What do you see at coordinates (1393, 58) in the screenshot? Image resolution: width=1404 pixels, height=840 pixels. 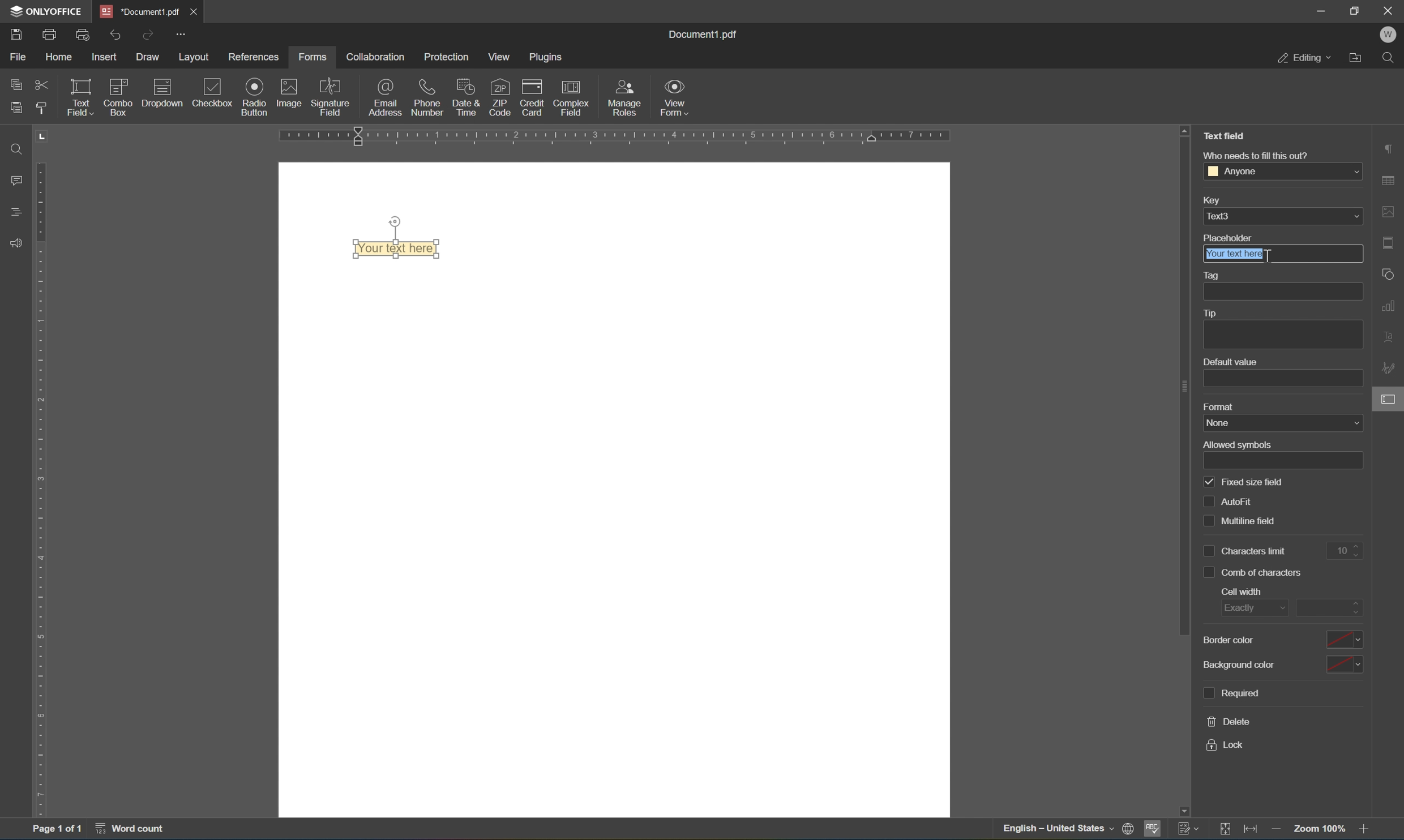 I see `Find` at bounding box center [1393, 58].